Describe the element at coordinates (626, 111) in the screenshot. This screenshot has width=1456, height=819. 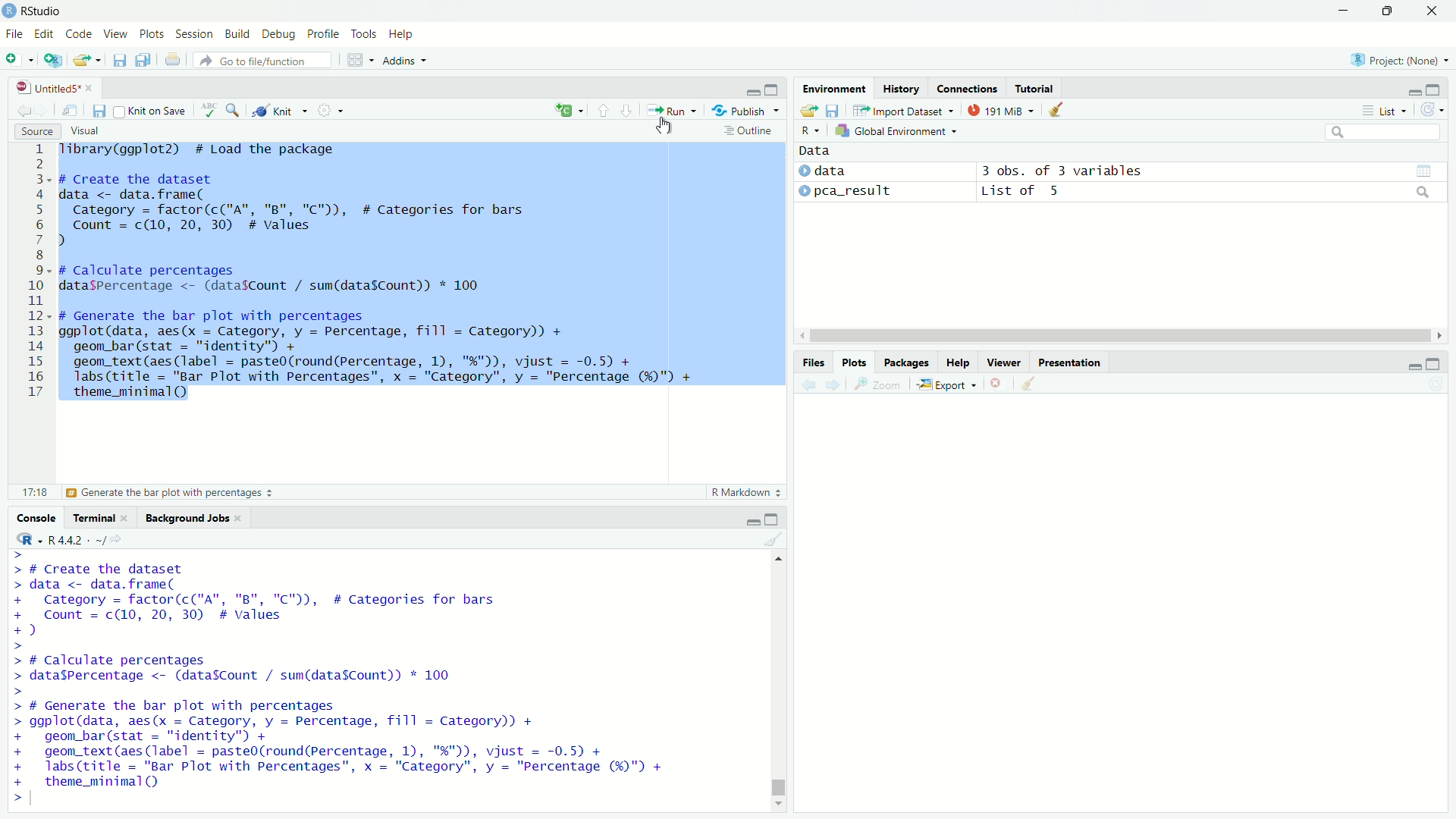
I see `go to next section` at that location.